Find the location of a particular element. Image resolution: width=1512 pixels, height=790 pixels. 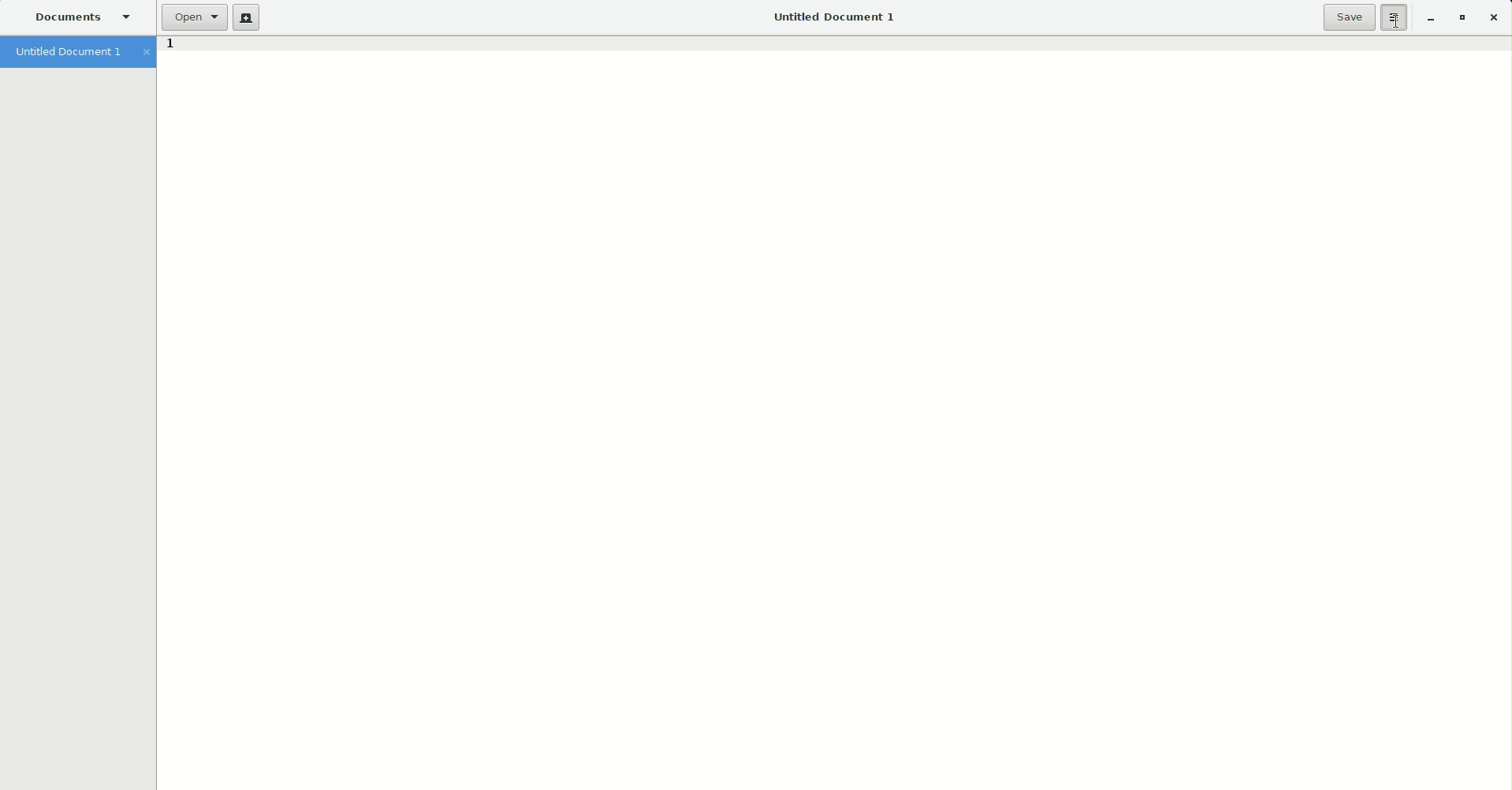

Save is located at coordinates (1349, 17).